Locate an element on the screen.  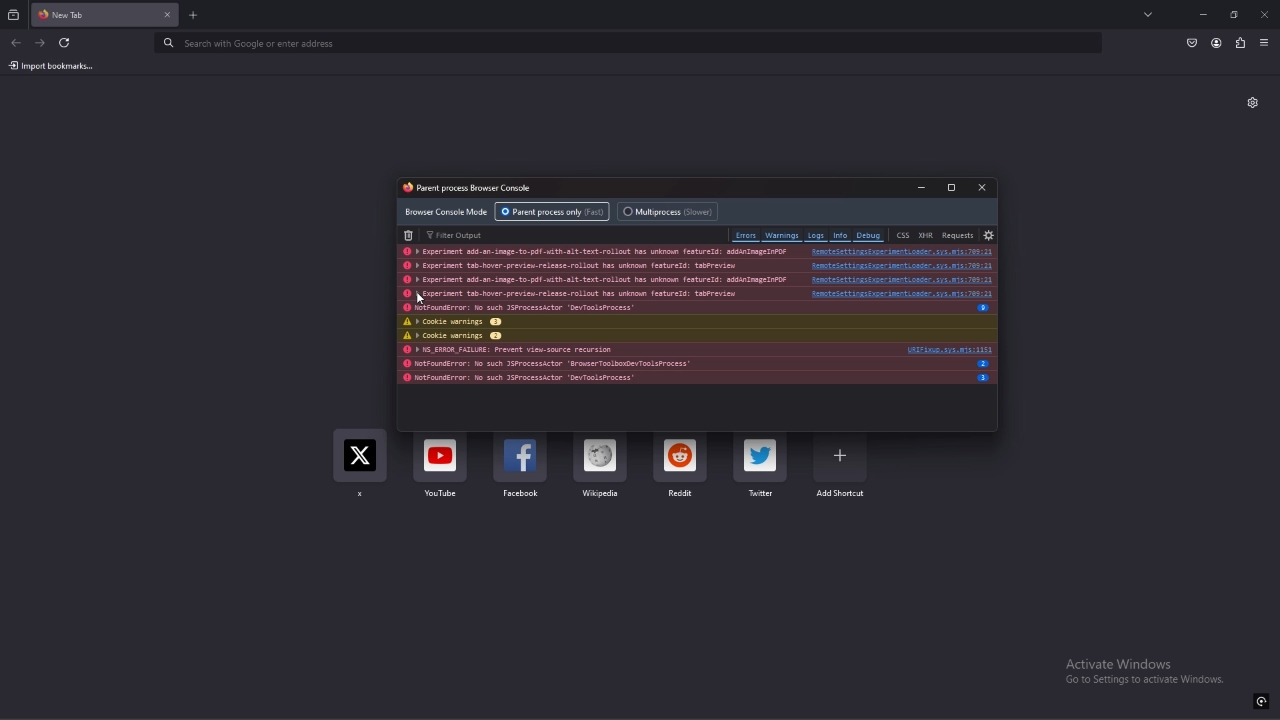
browser console mode is located at coordinates (446, 211).